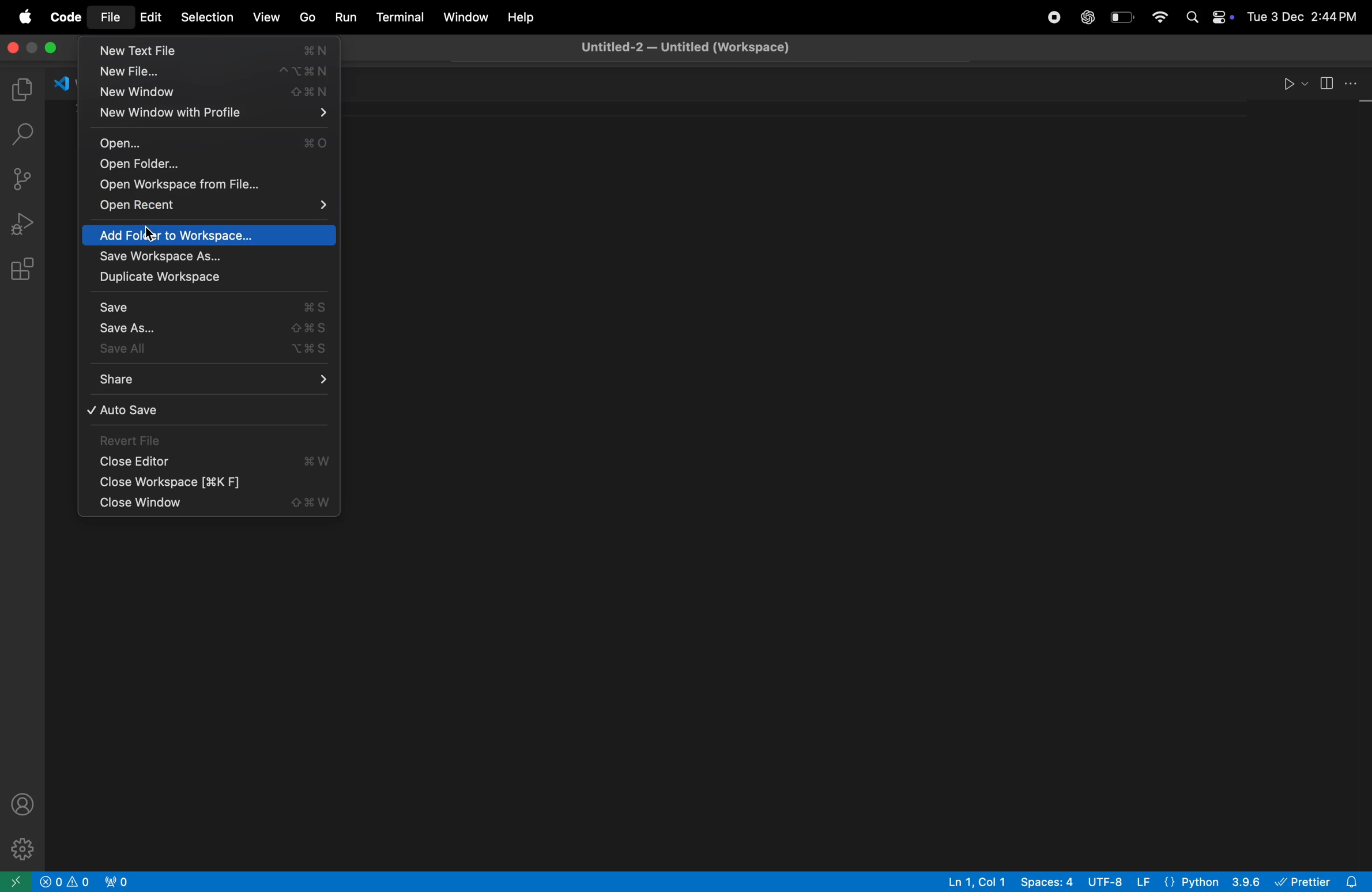  I want to click on profile, so click(23, 802).